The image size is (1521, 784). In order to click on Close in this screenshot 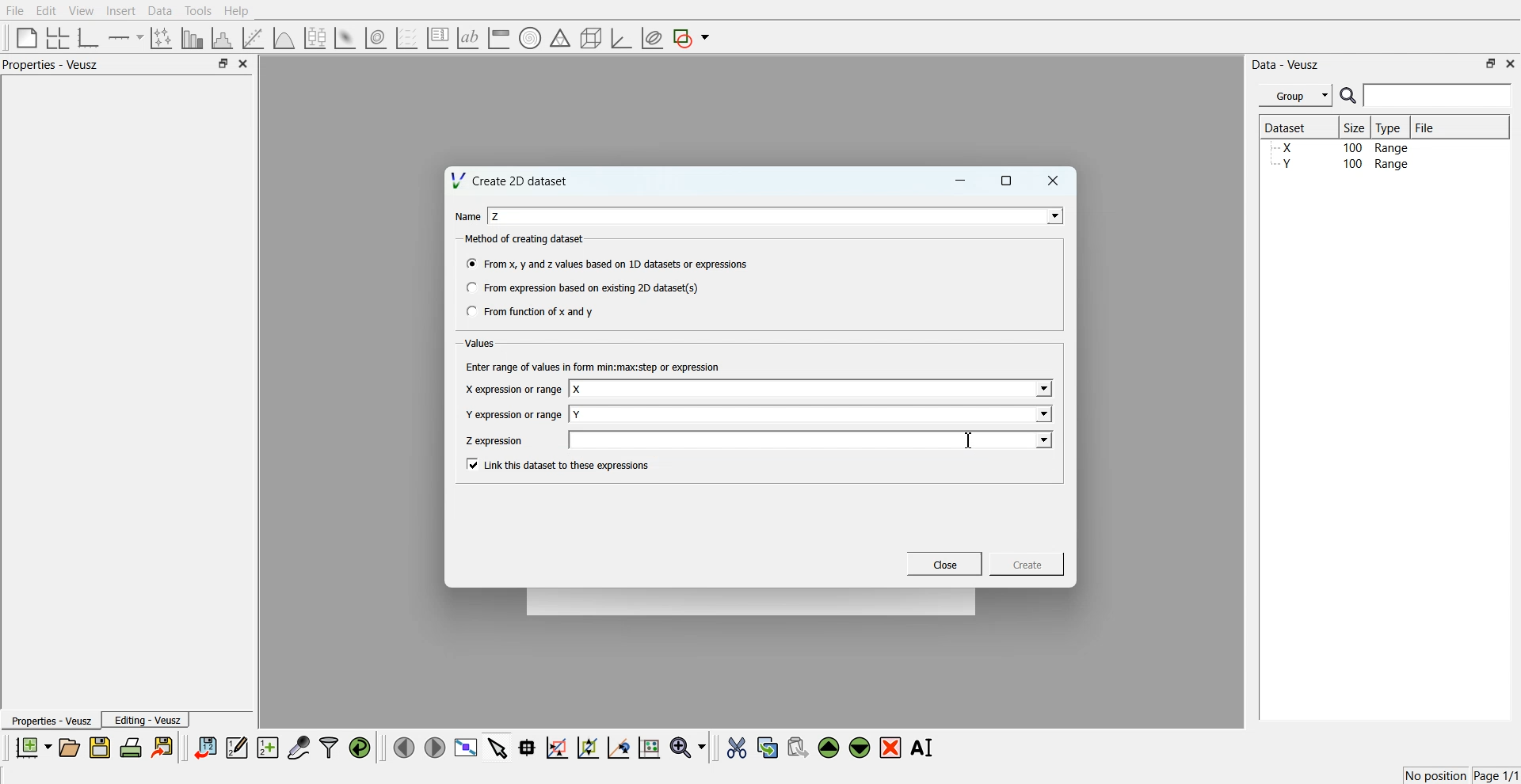, I will do `click(1054, 181)`.